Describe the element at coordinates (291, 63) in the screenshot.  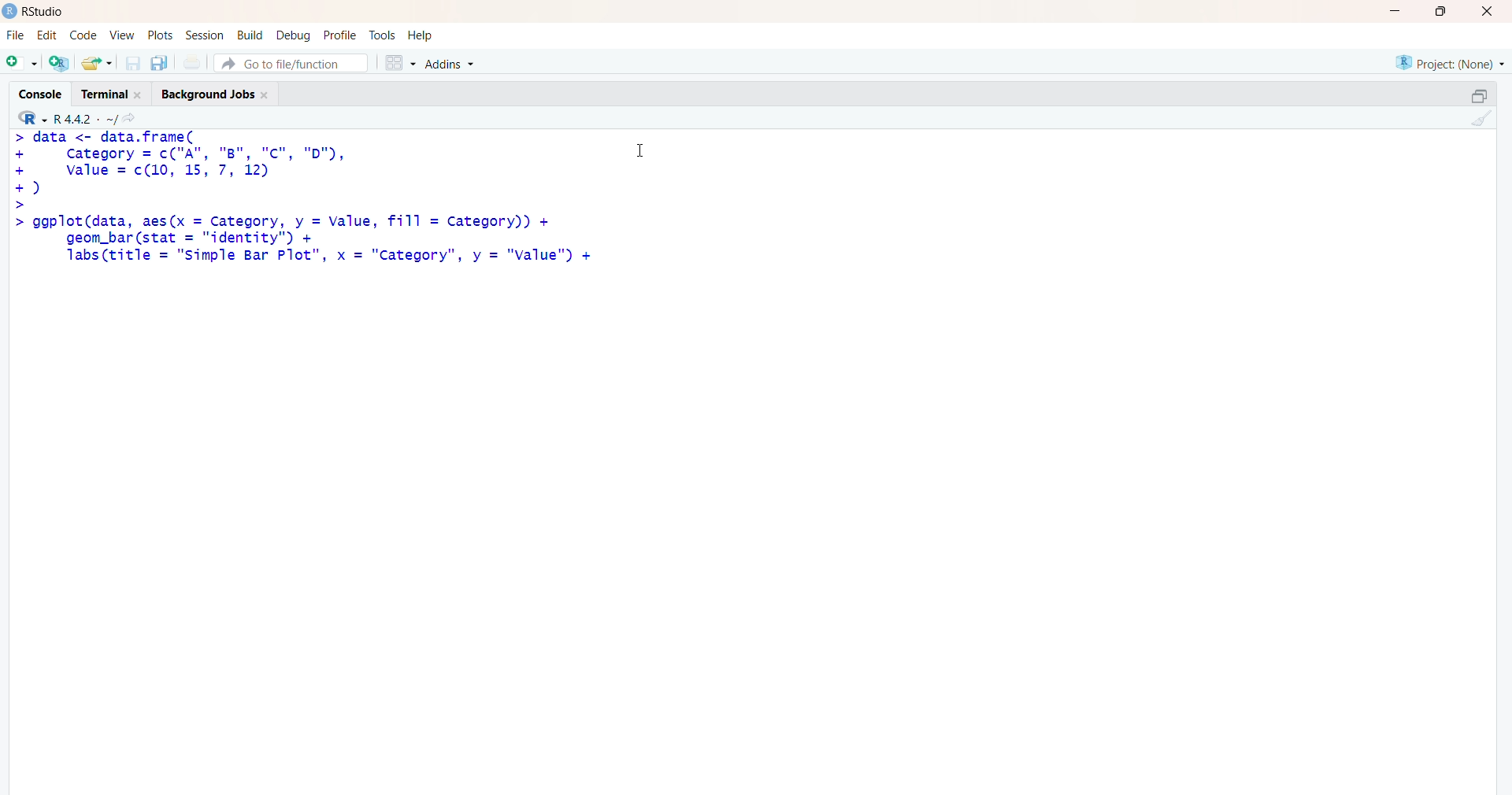
I see `# Go to file/function` at that location.